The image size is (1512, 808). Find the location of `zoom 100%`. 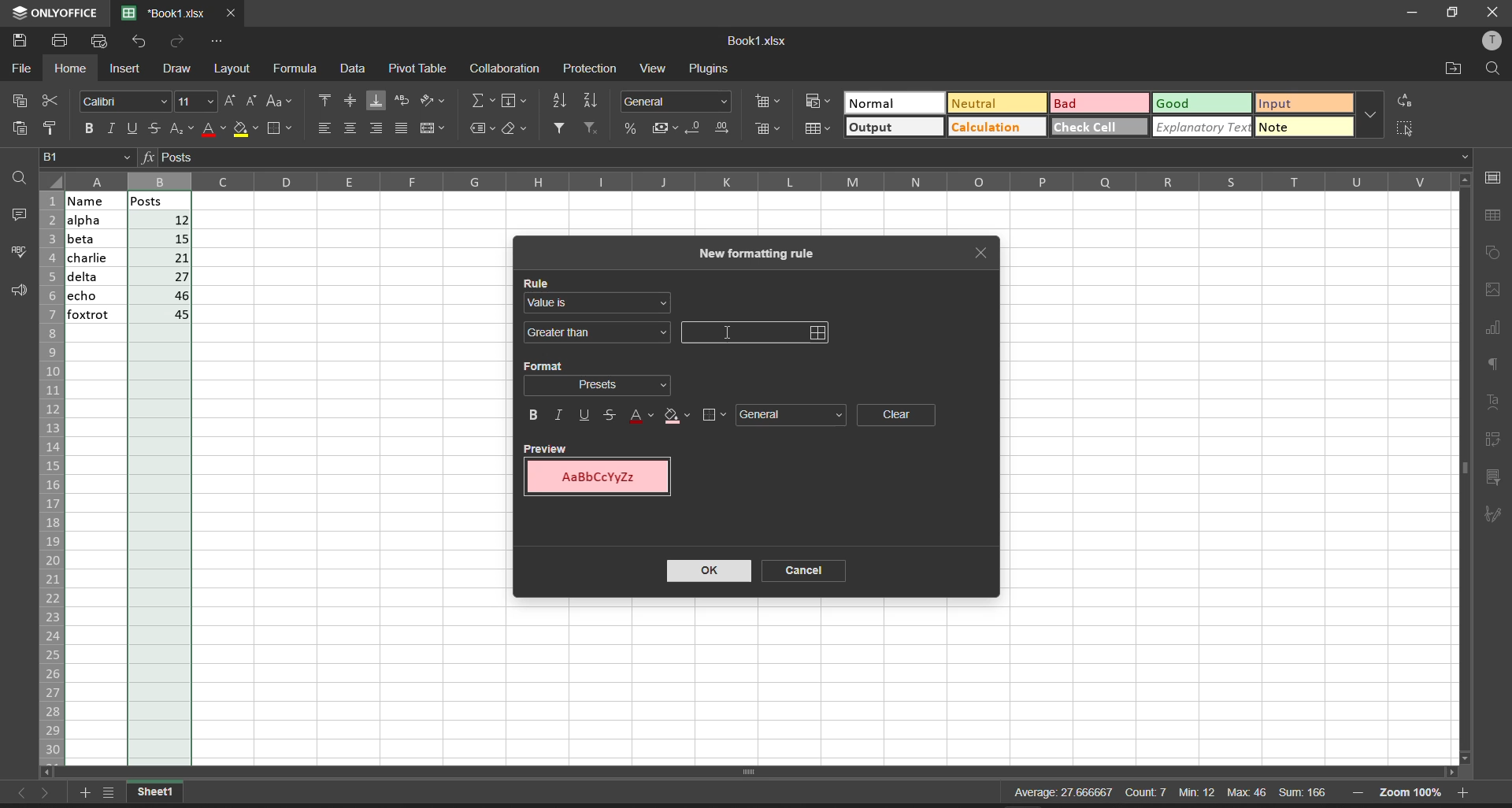

zoom 100% is located at coordinates (1417, 792).